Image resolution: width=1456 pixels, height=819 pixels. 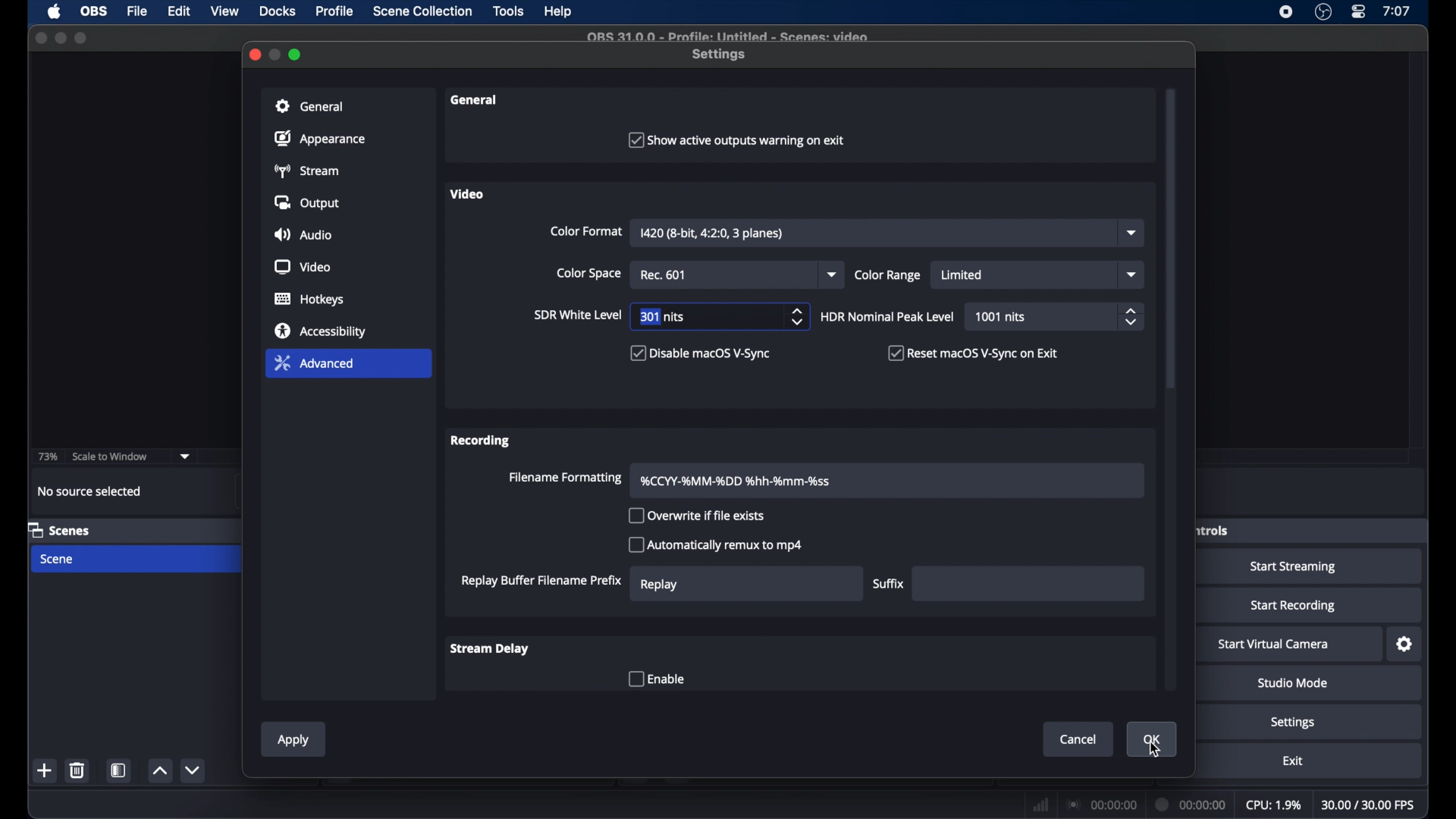 I want to click on duration, so click(x=1192, y=803).